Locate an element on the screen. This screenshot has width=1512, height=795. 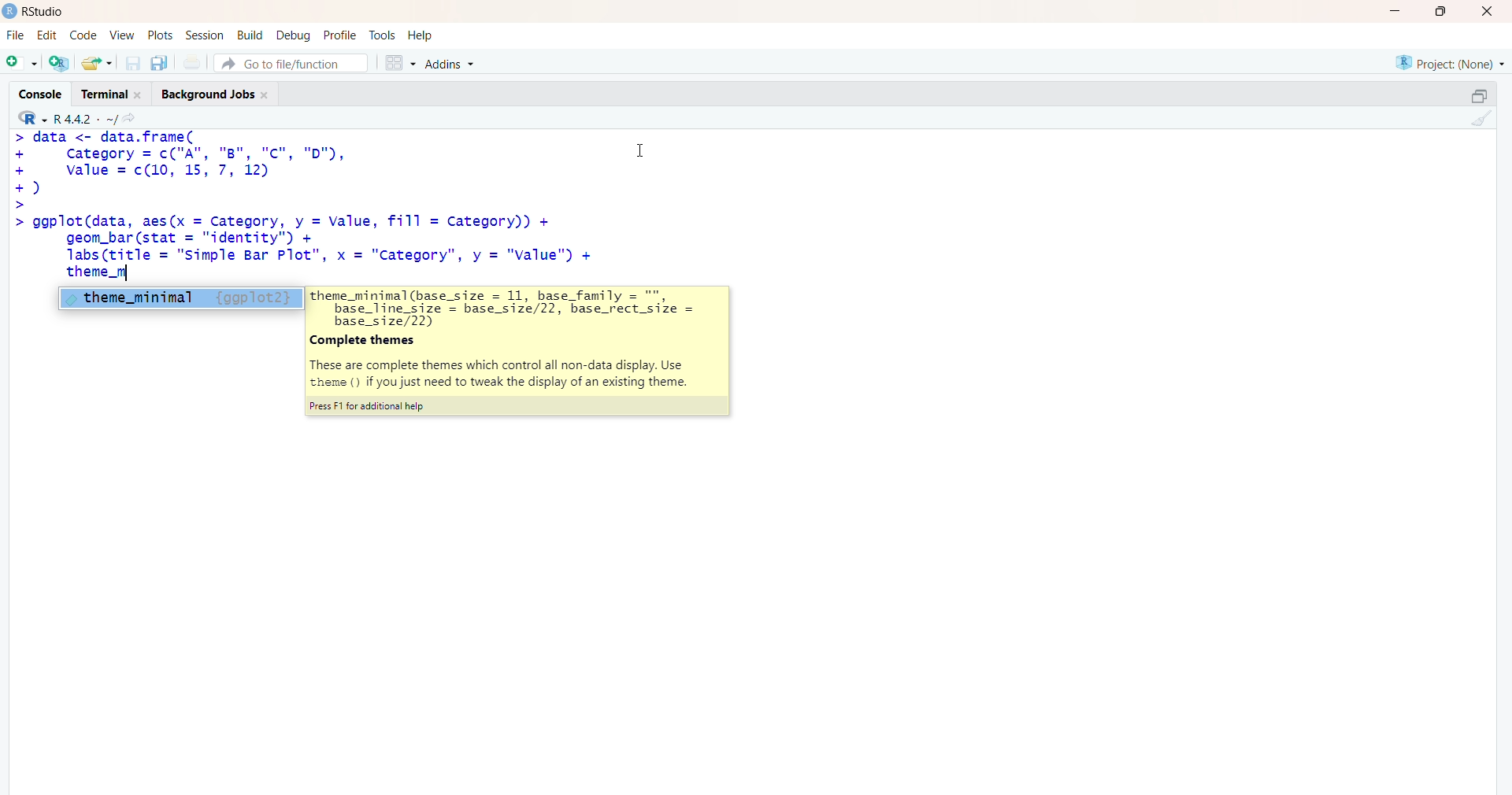
tools is located at coordinates (384, 35).